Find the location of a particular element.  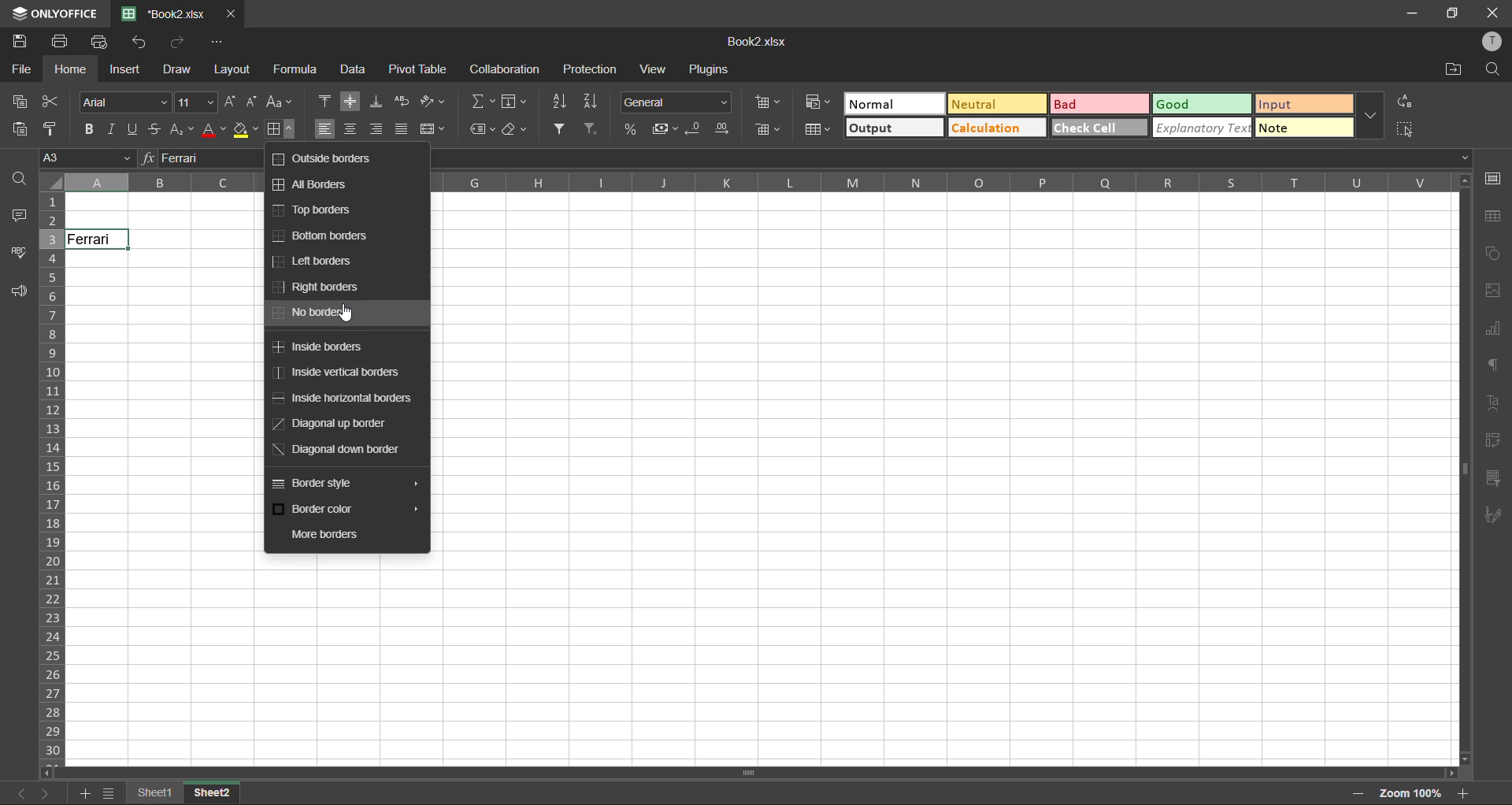

normal is located at coordinates (895, 103).